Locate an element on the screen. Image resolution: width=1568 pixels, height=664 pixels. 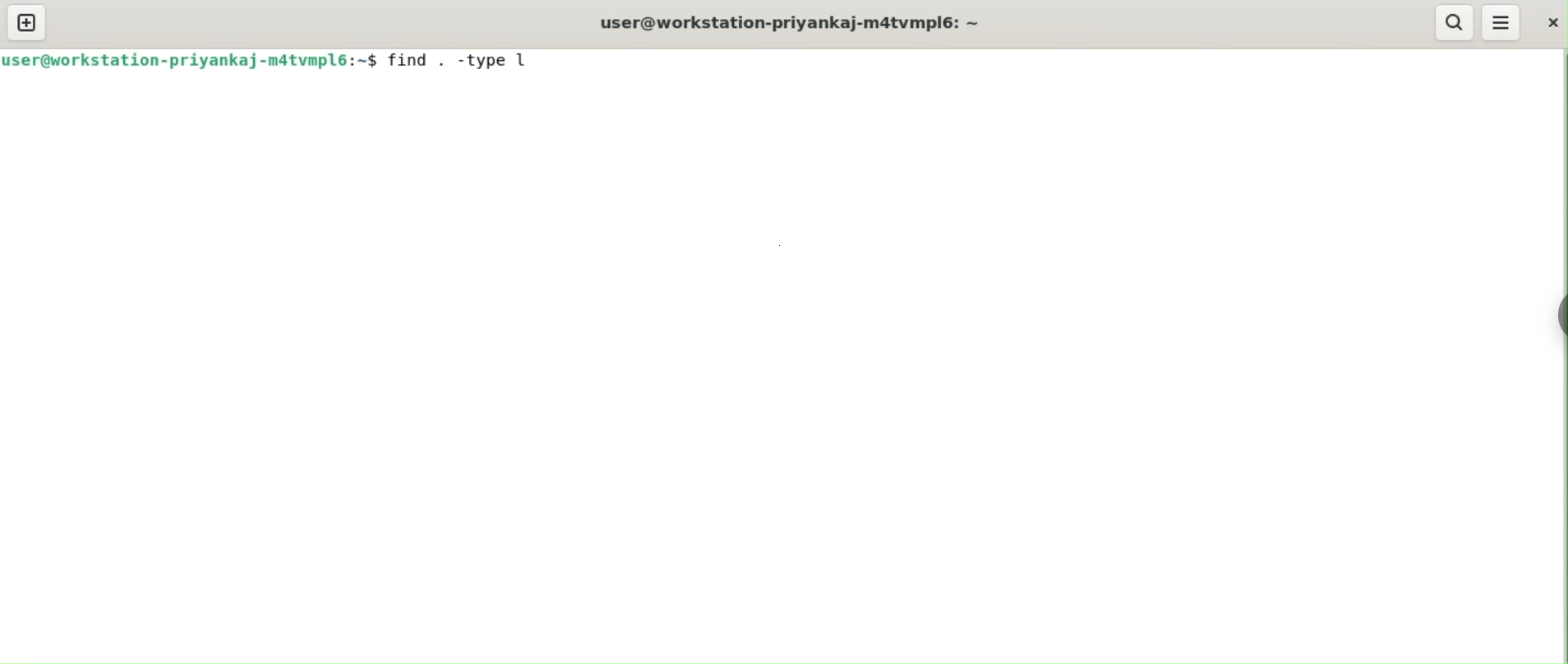
 user@workstation-priyankaj-m4tvmpl6: ~ is located at coordinates (795, 21).